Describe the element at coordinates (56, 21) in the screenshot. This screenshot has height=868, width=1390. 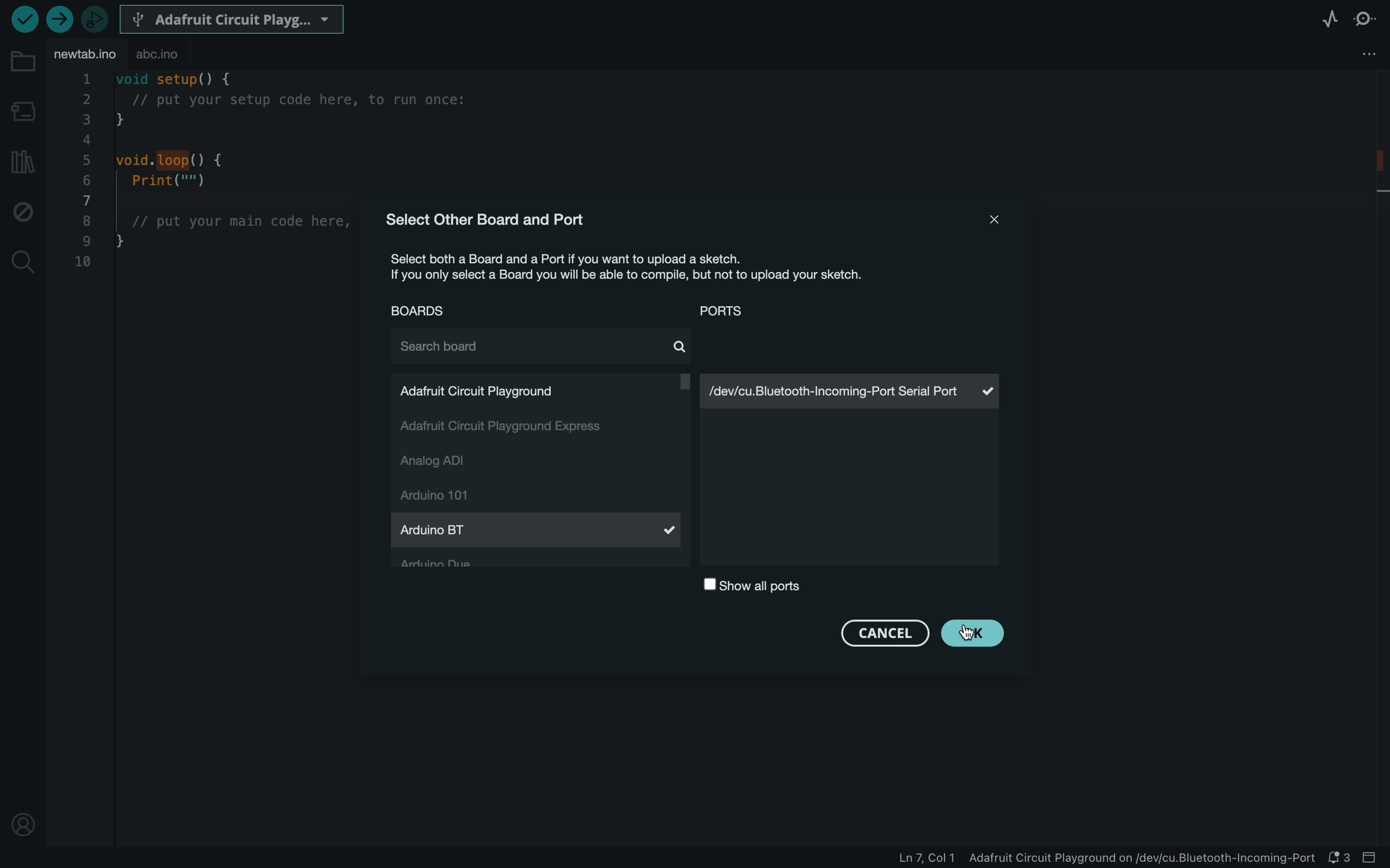
I see `upload` at that location.